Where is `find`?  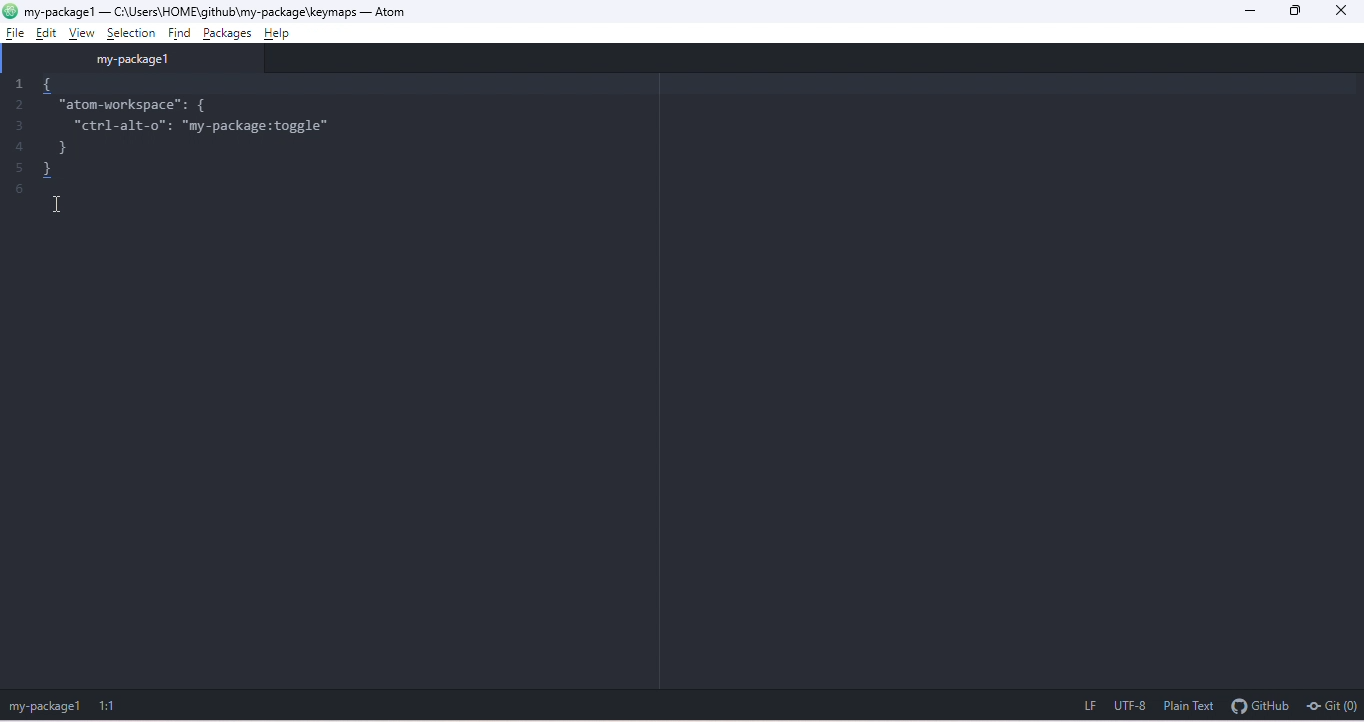
find is located at coordinates (180, 31).